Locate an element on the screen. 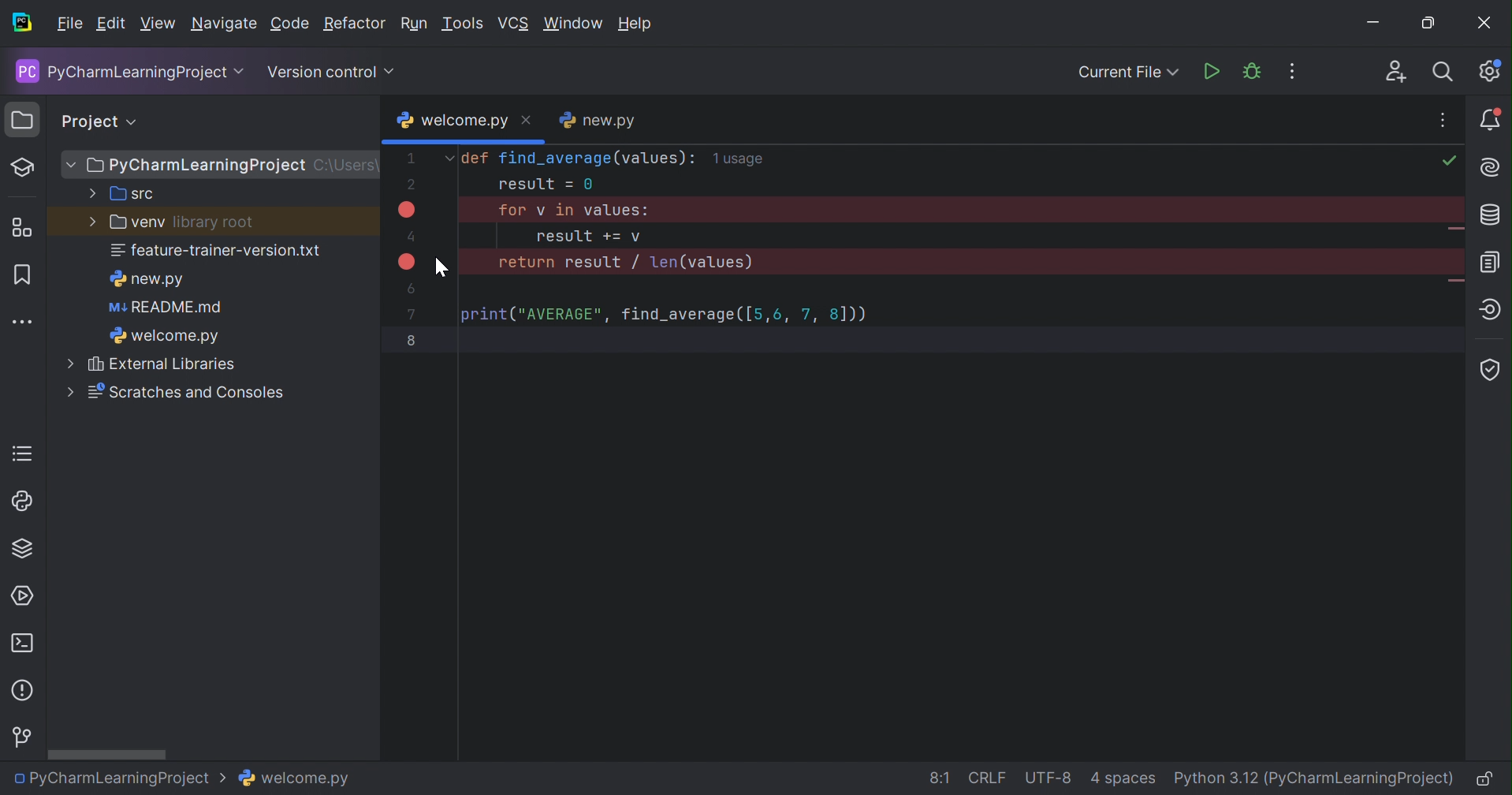  7 is located at coordinates (415, 315).